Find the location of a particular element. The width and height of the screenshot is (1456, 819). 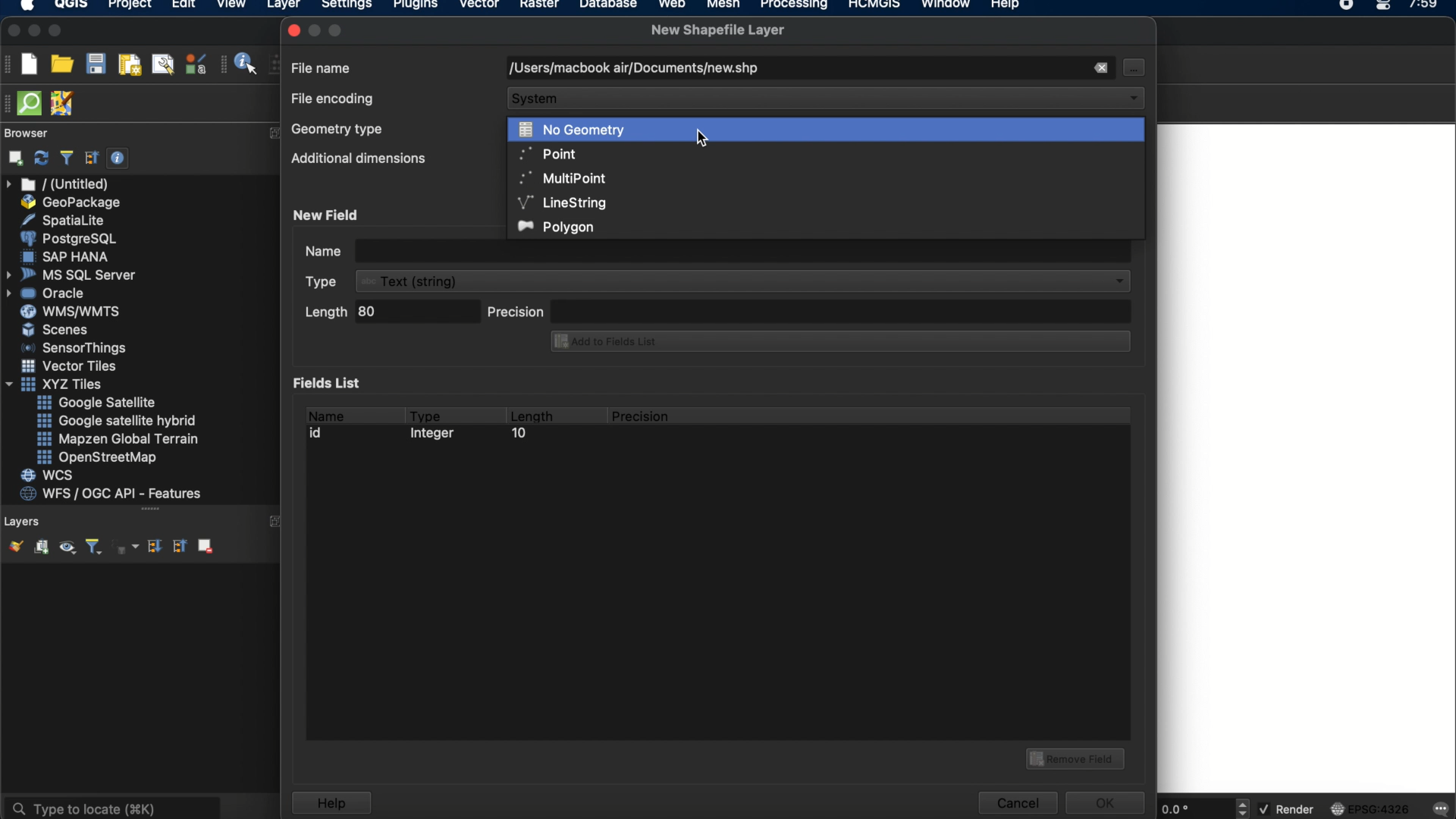

text dropdown menu is located at coordinates (720, 281).